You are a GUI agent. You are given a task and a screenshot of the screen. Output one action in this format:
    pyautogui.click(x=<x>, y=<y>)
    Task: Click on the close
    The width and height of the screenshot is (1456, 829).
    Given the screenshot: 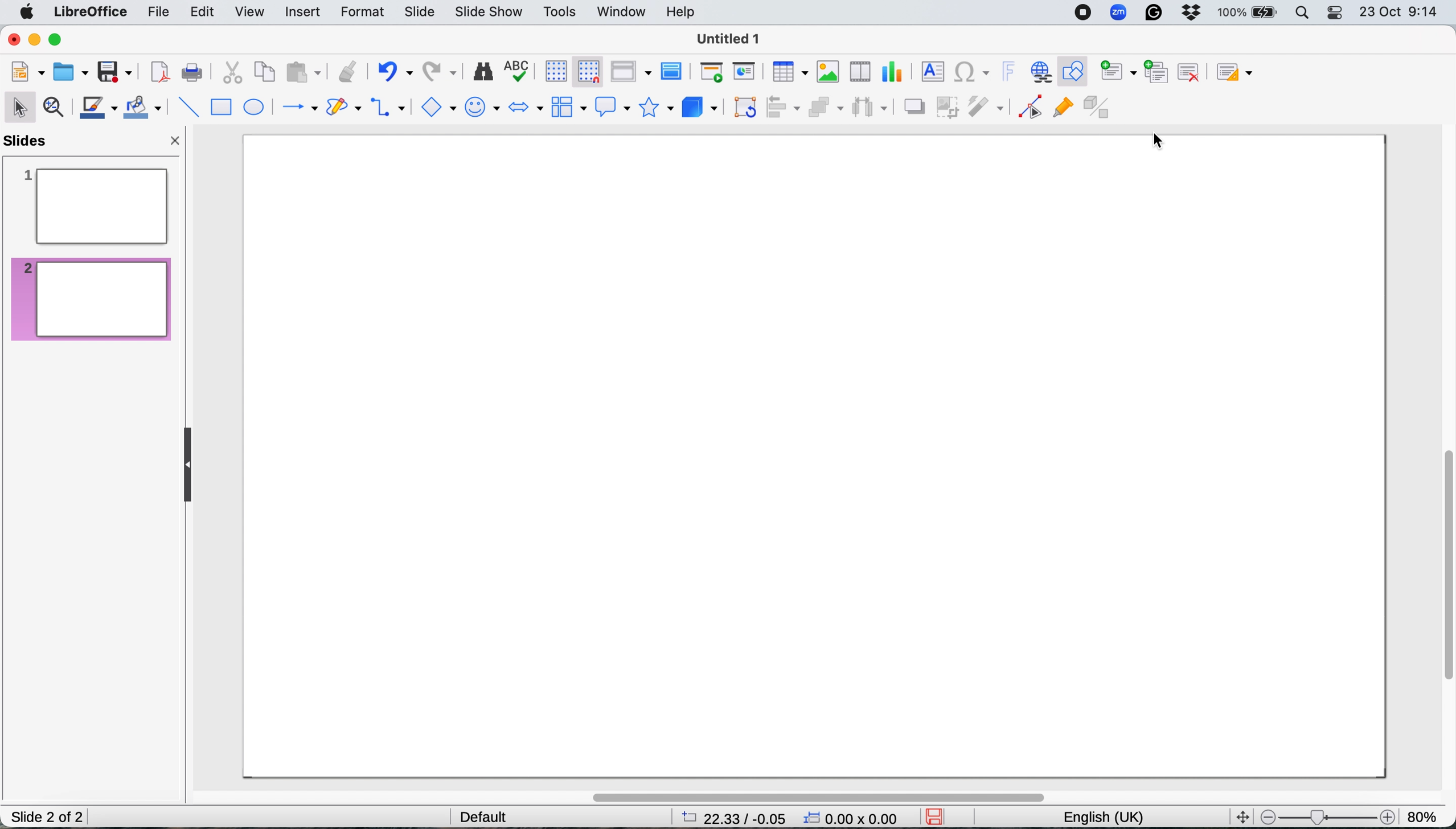 What is the action you would take?
    pyautogui.click(x=13, y=40)
    